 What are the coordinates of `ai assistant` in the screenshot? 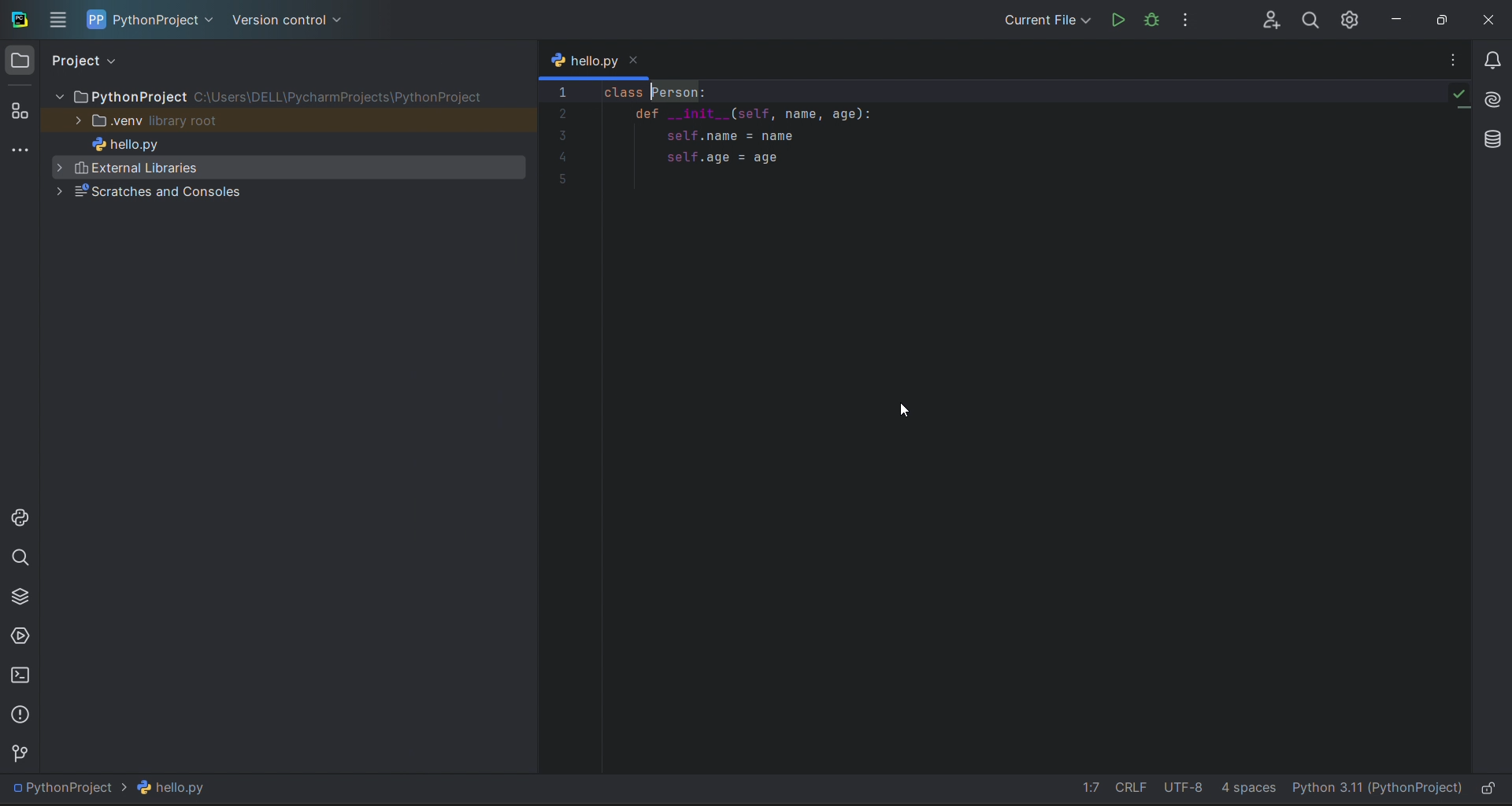 It's located at (1493, 100).